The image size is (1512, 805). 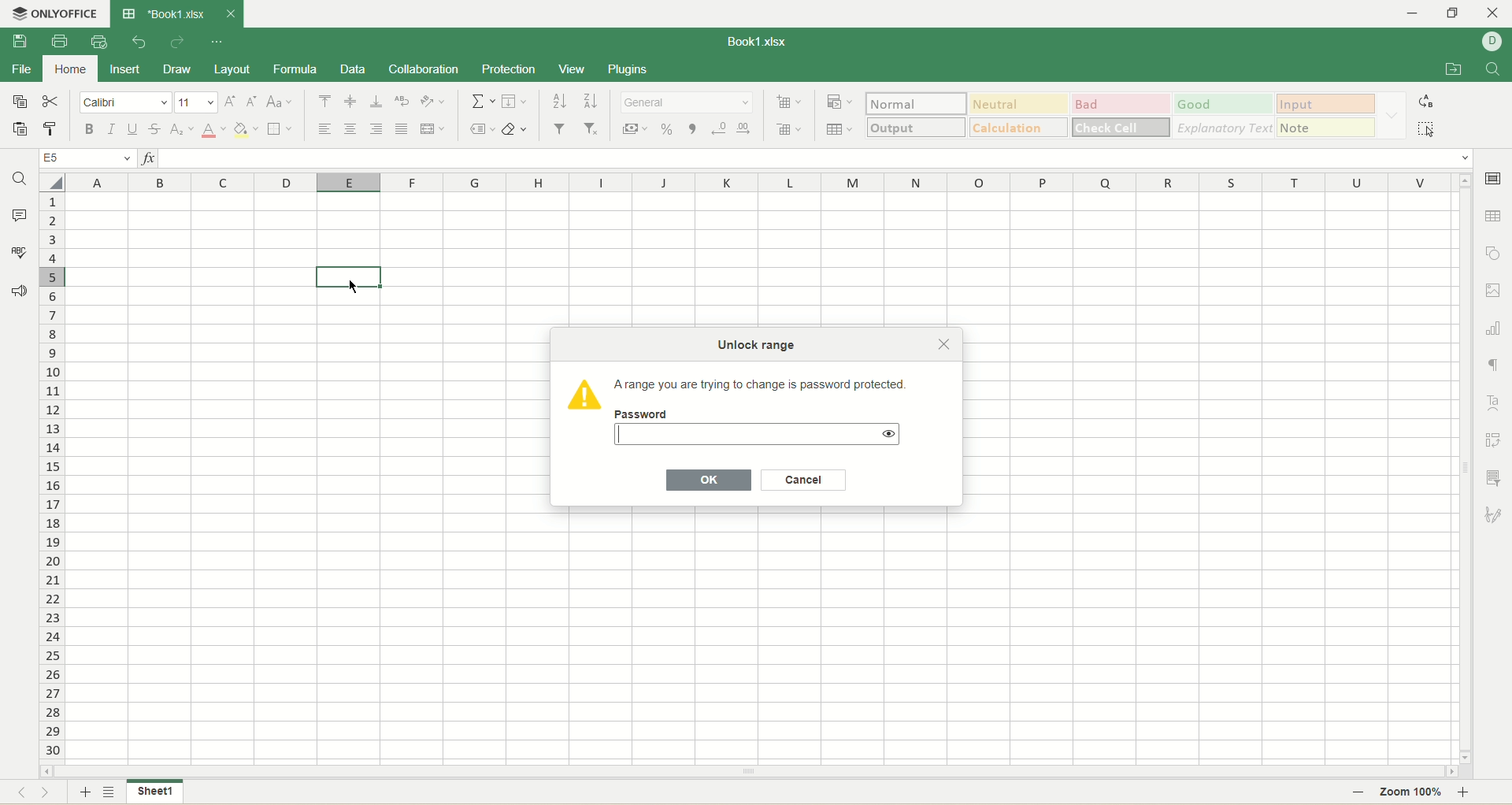 I want to click on OK, so click(x=708, y=481).